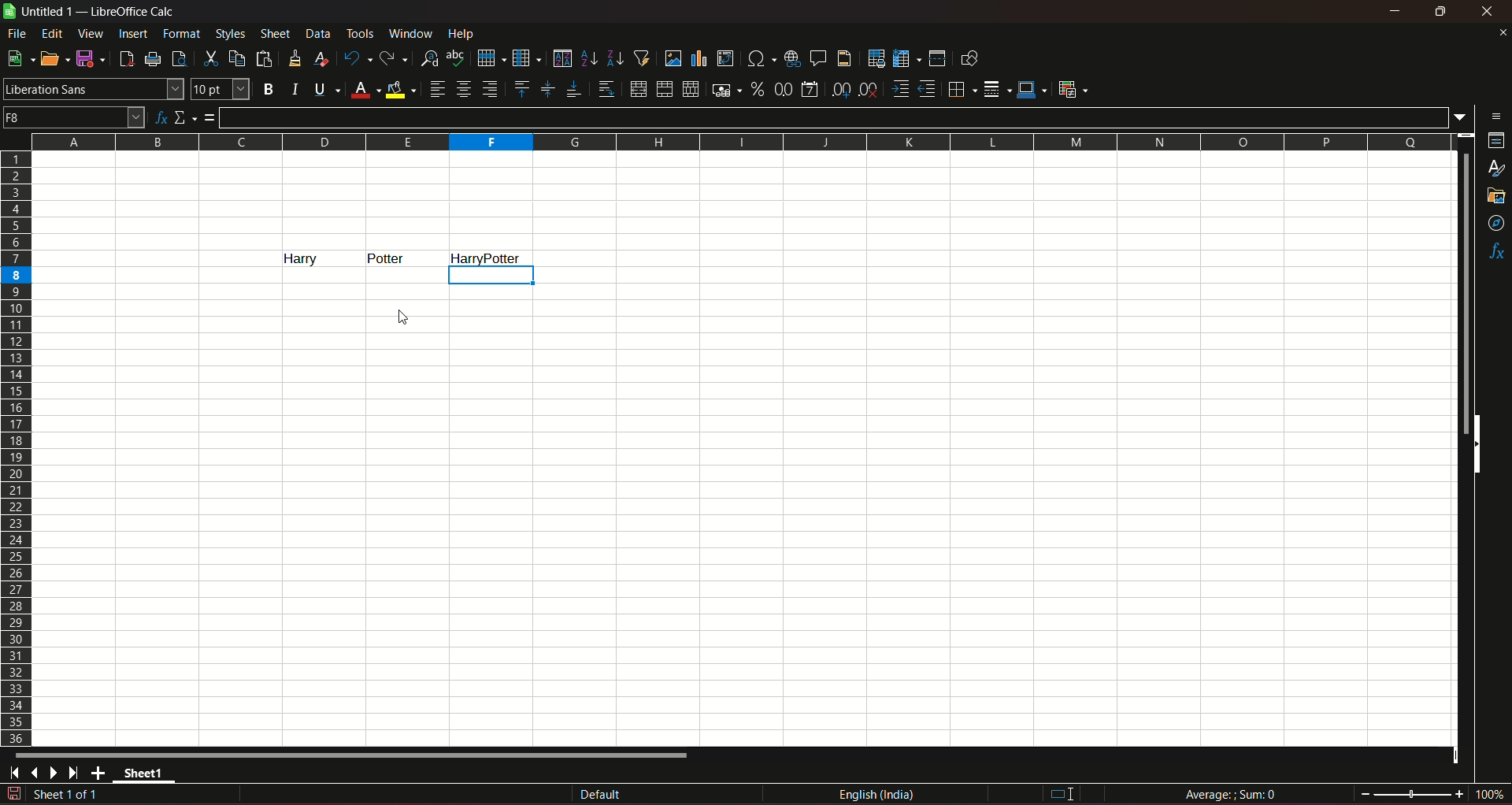 Image resolution: width=1512 pixels, height=805 pixels. Describe the element at coordinates (18, 33) in the screenshot. I see `file` at that location.